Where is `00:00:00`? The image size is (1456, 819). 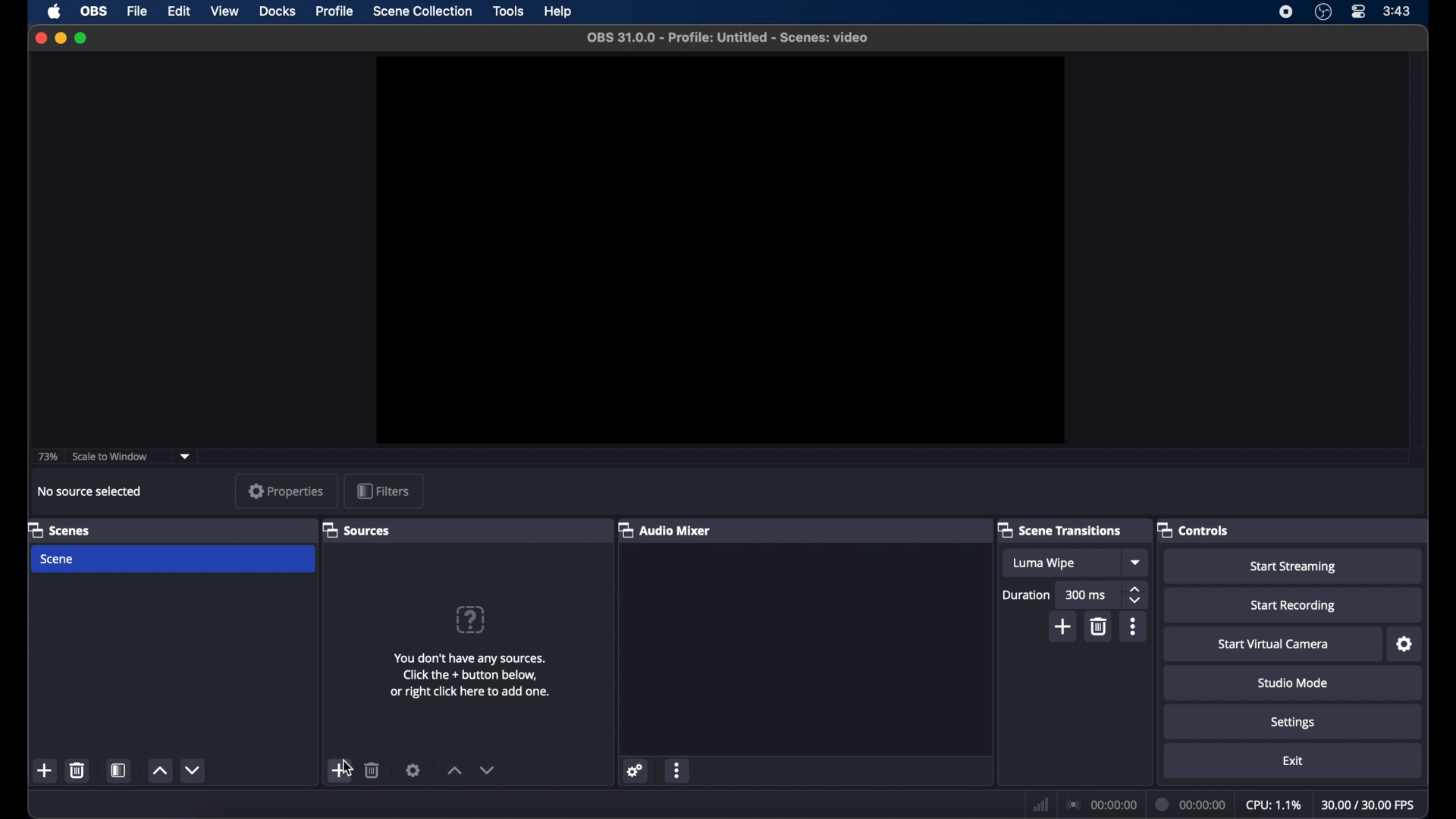 00:00:00 is located at coordinates (1103, 805).